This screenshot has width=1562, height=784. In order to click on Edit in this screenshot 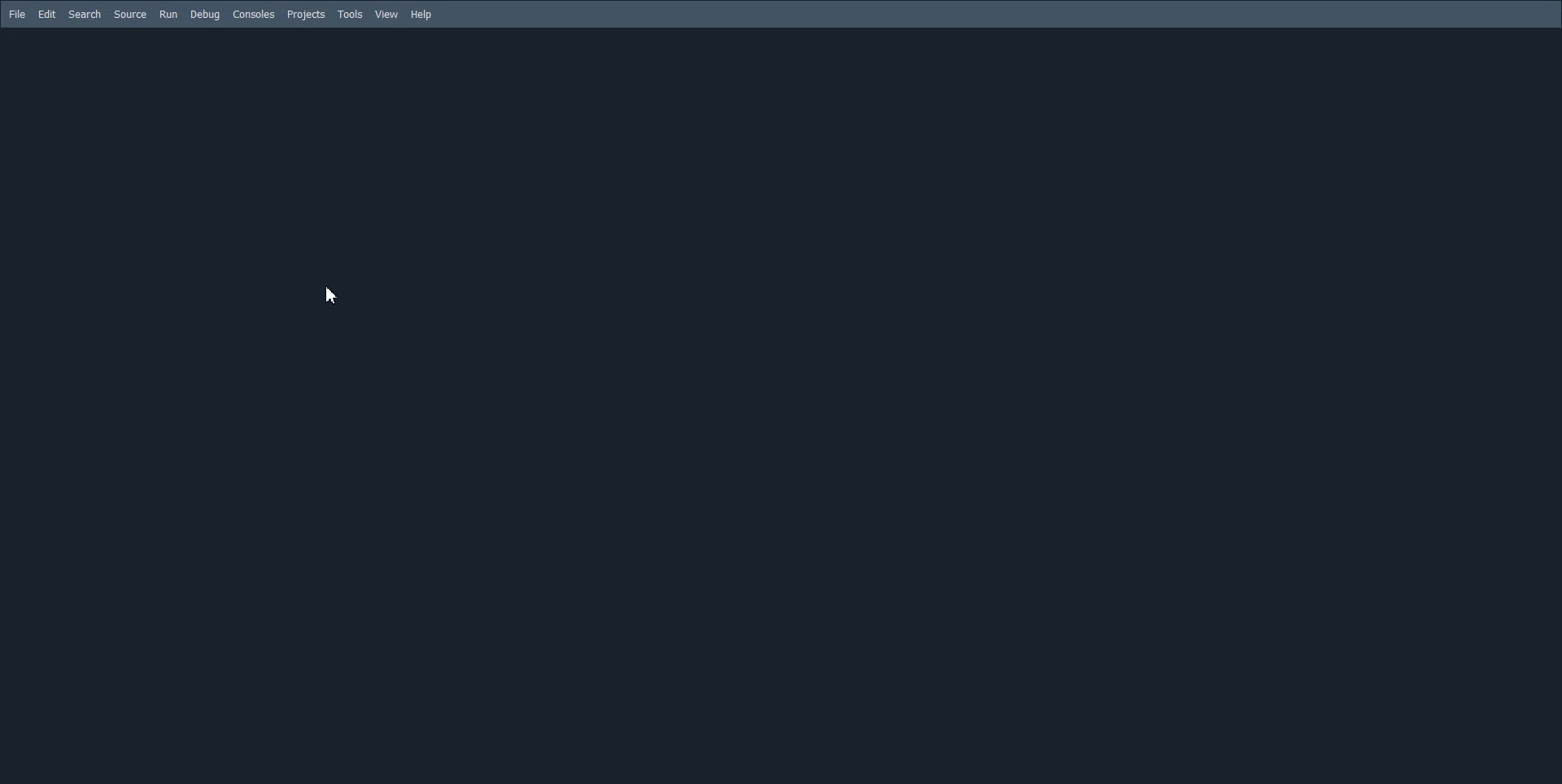, I will do `click(46, 15)`.